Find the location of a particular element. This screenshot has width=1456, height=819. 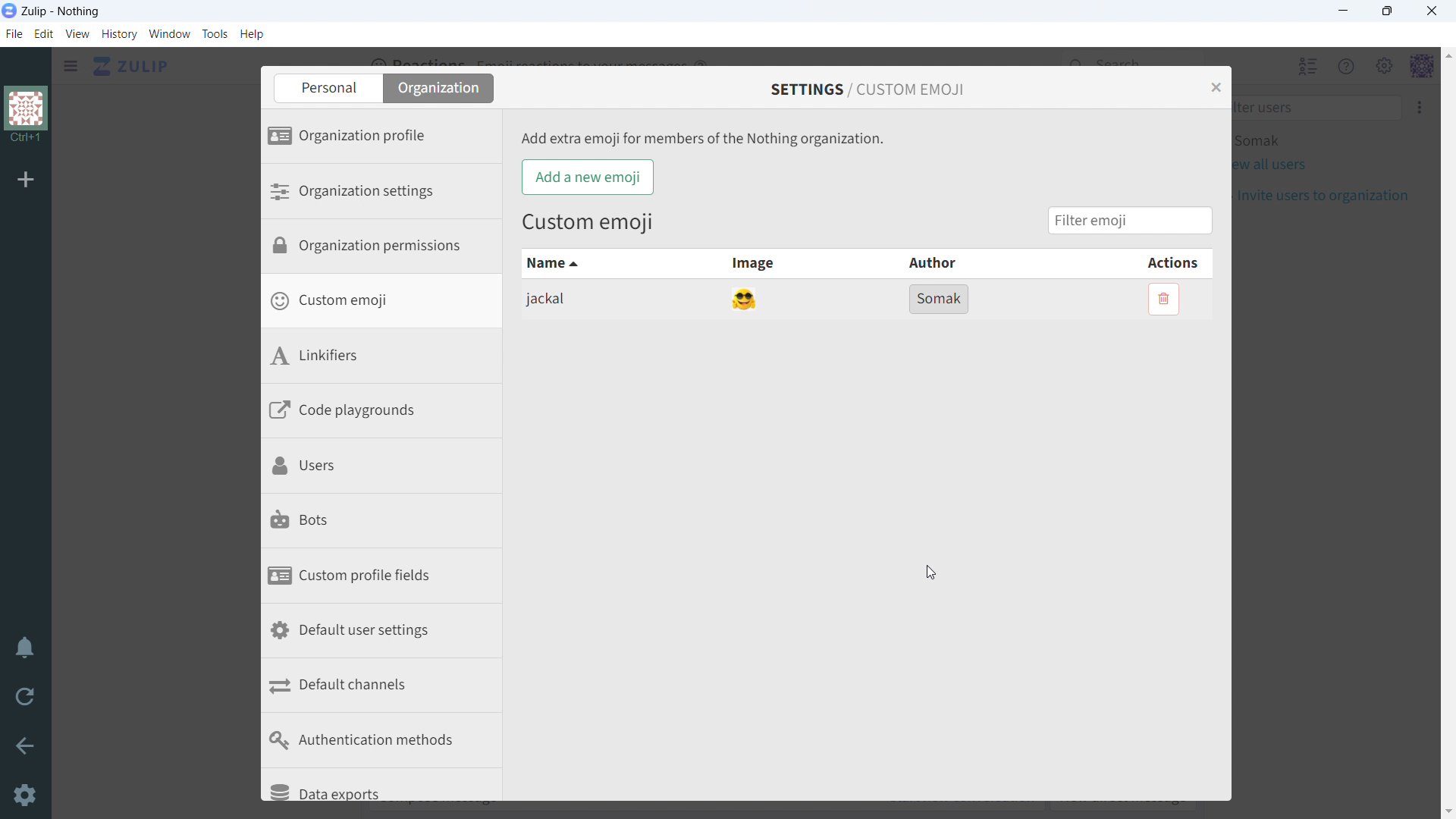

default user settings is located at coordinates (390, 632).